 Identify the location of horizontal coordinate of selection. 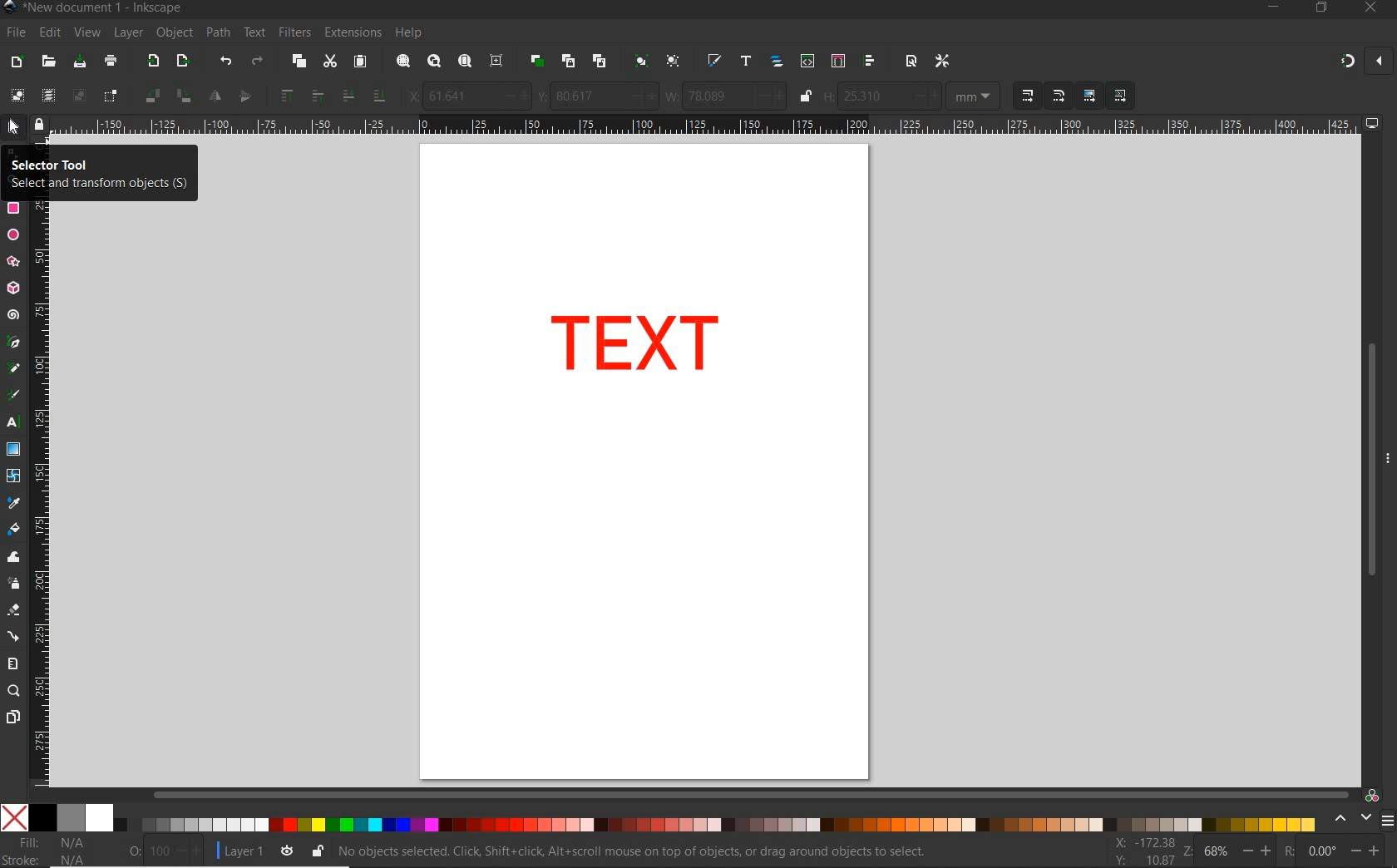
(466, 95).